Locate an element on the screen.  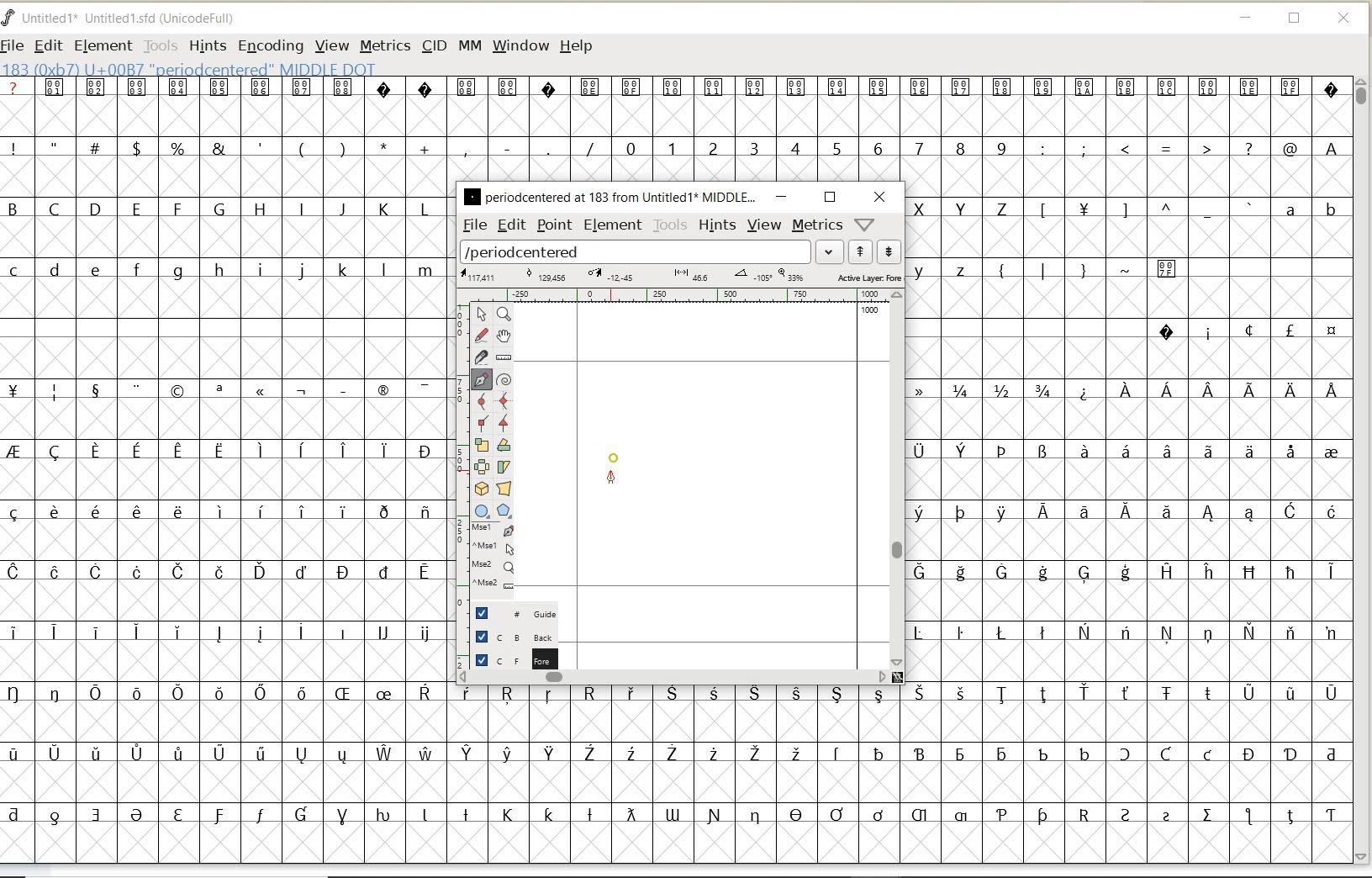
expand is located at coordinates (830, 251).